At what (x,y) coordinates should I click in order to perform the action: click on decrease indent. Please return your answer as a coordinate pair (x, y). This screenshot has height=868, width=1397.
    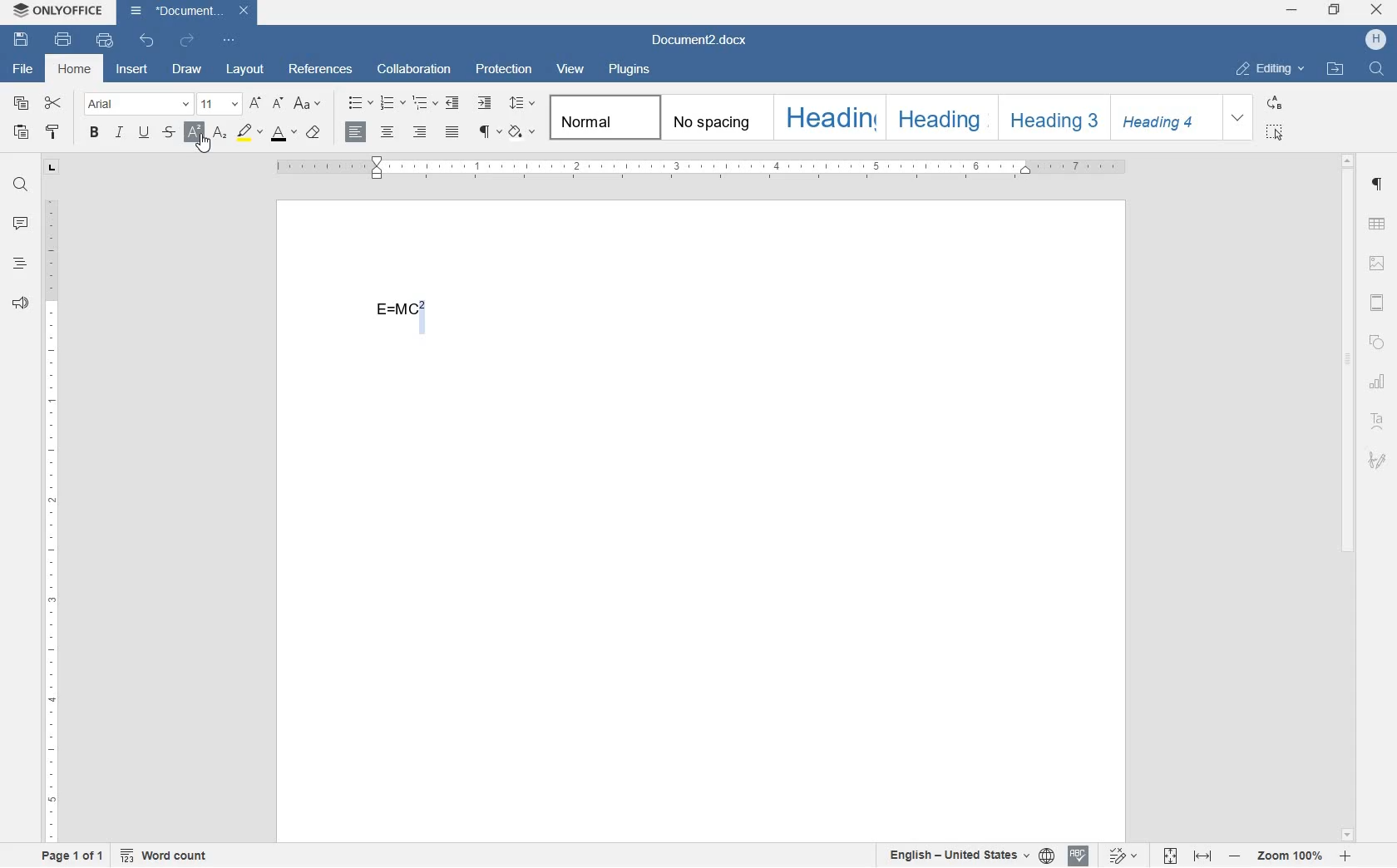
    Looking at the image, I should click on (454, 104).